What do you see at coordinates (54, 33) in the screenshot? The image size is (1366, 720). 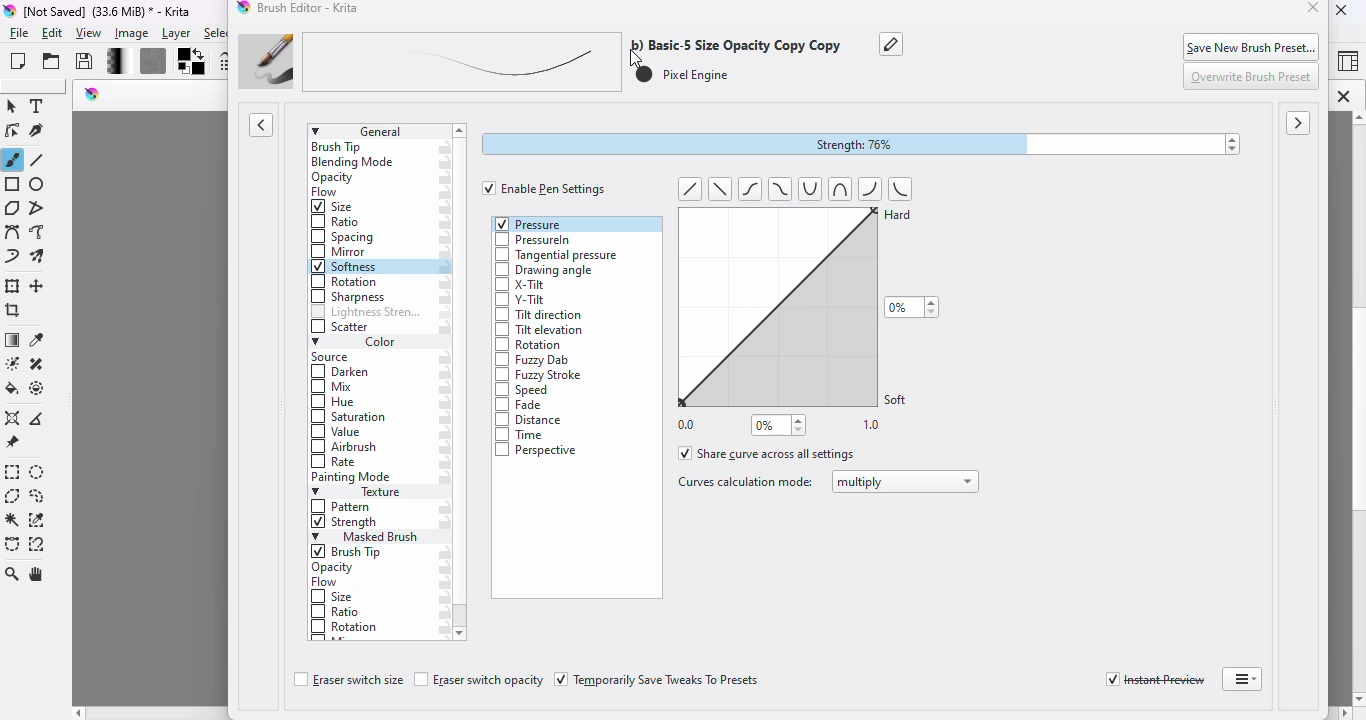 I see `edit` at bounding box center [54, 33].